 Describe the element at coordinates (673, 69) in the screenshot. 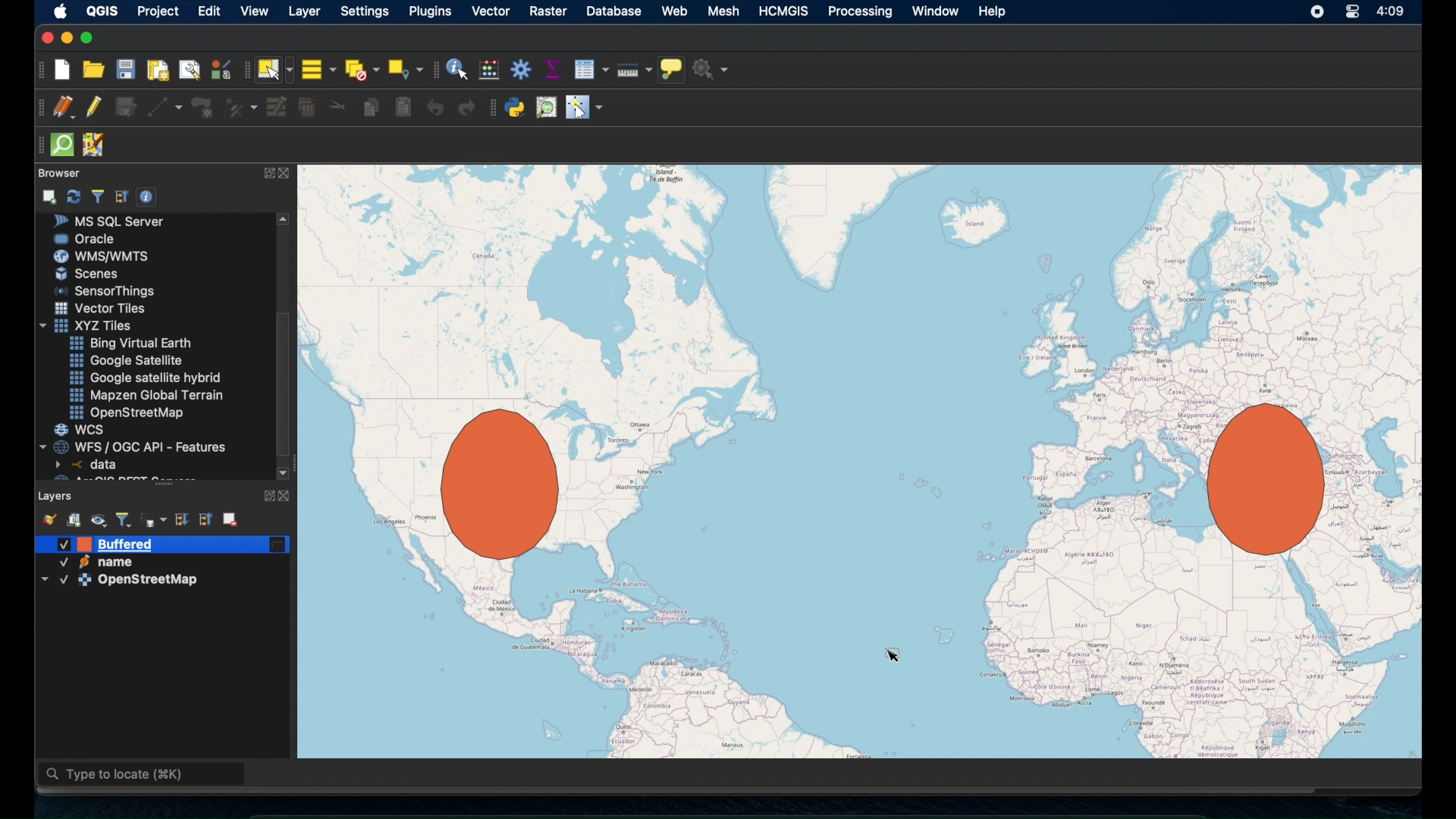

I see `show map tips` at that location.